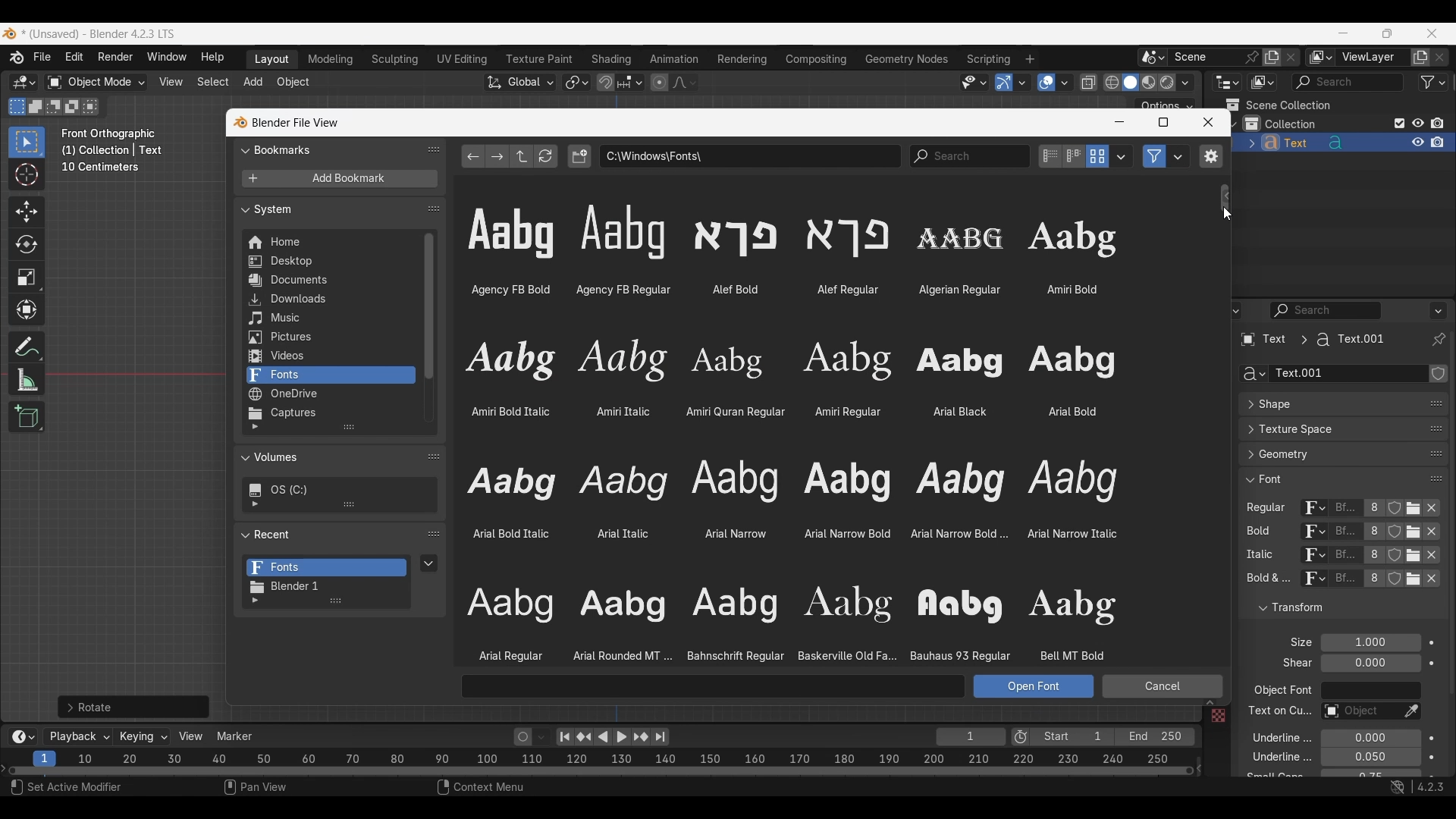  I want to click on Add workspace, so click(1029, 59).